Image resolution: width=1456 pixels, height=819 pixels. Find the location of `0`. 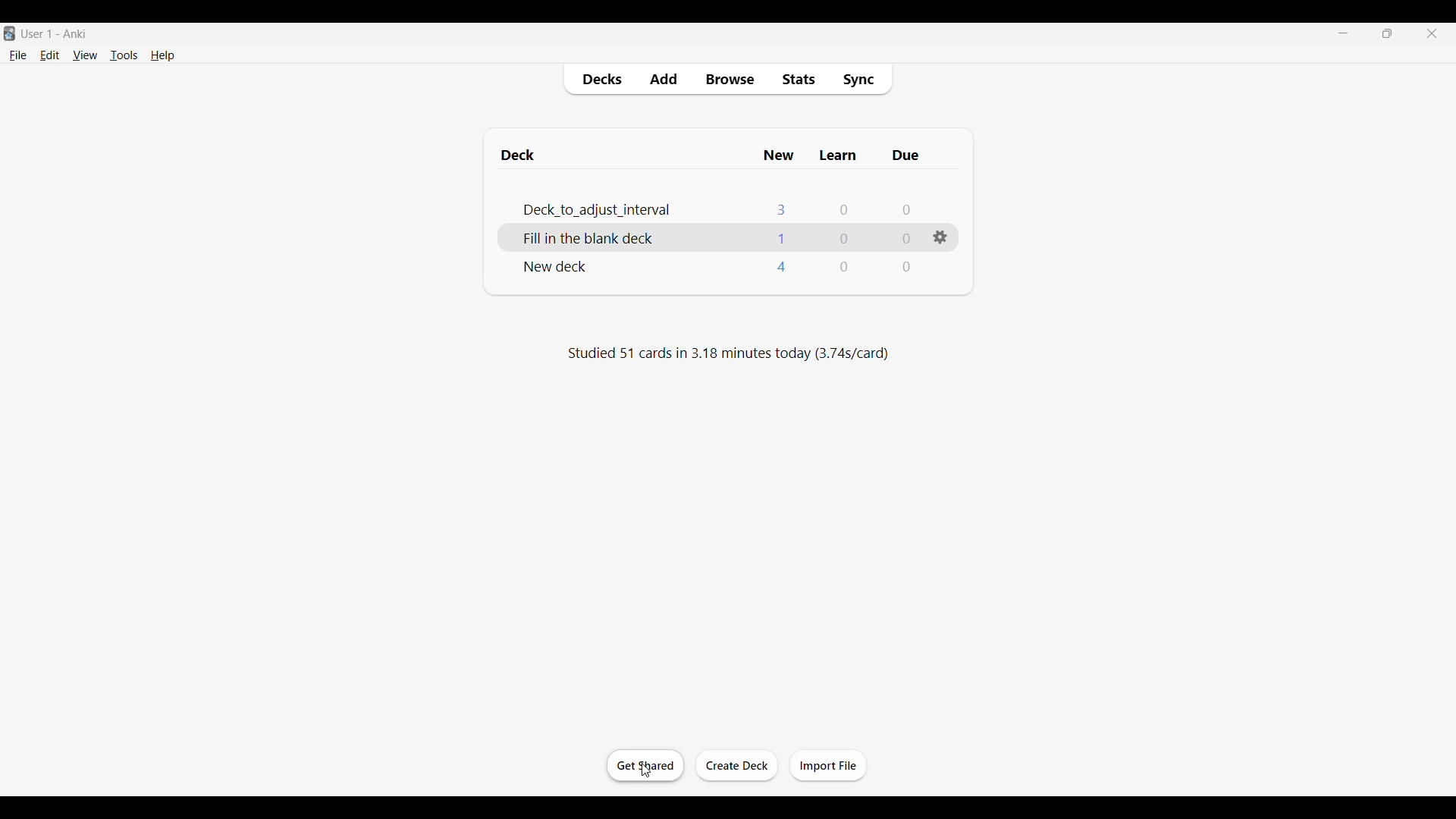

0 is located at coordinates (906, 268).